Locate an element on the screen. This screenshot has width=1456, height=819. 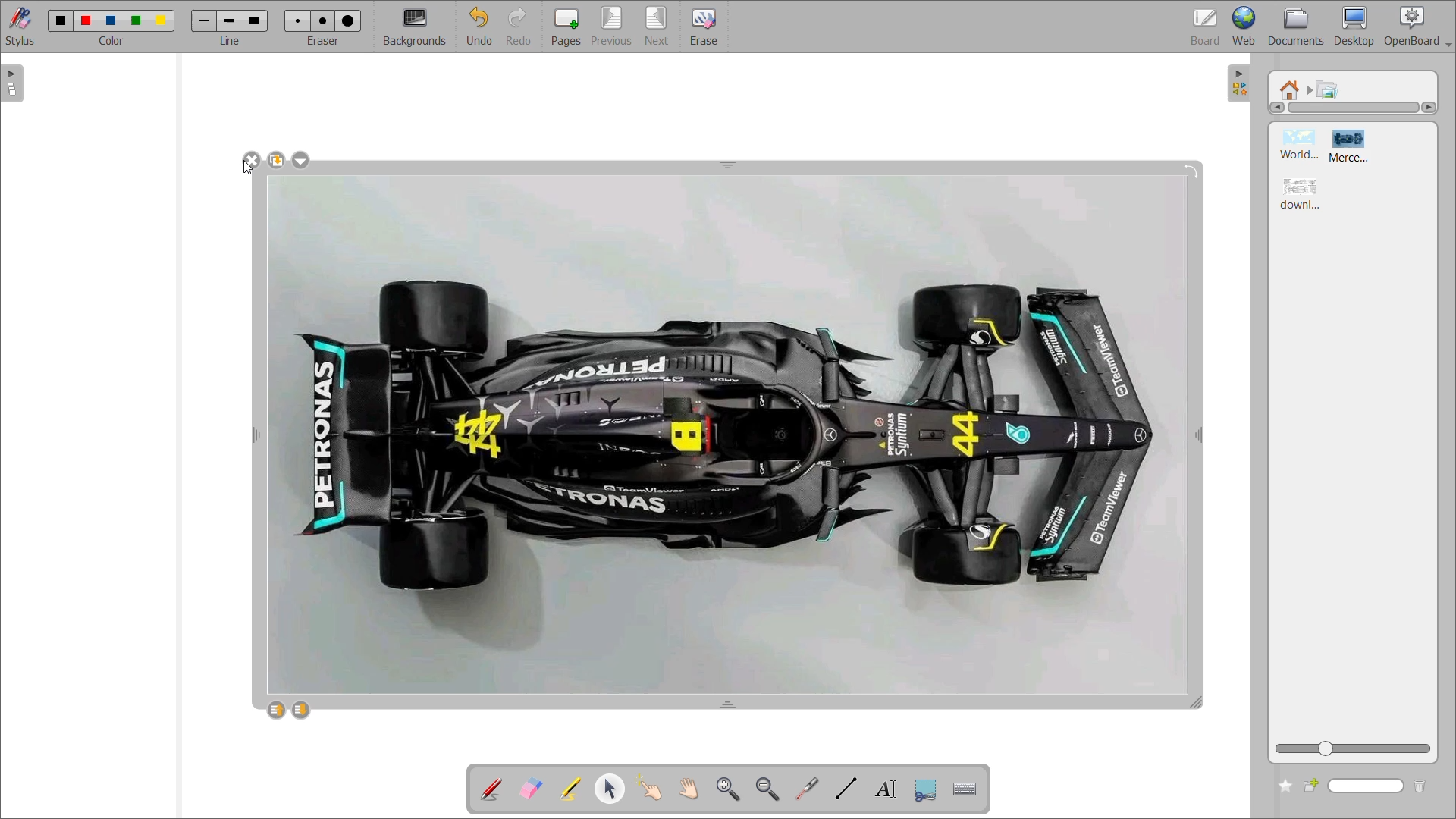
delete image is located at coordinates (250, 160).